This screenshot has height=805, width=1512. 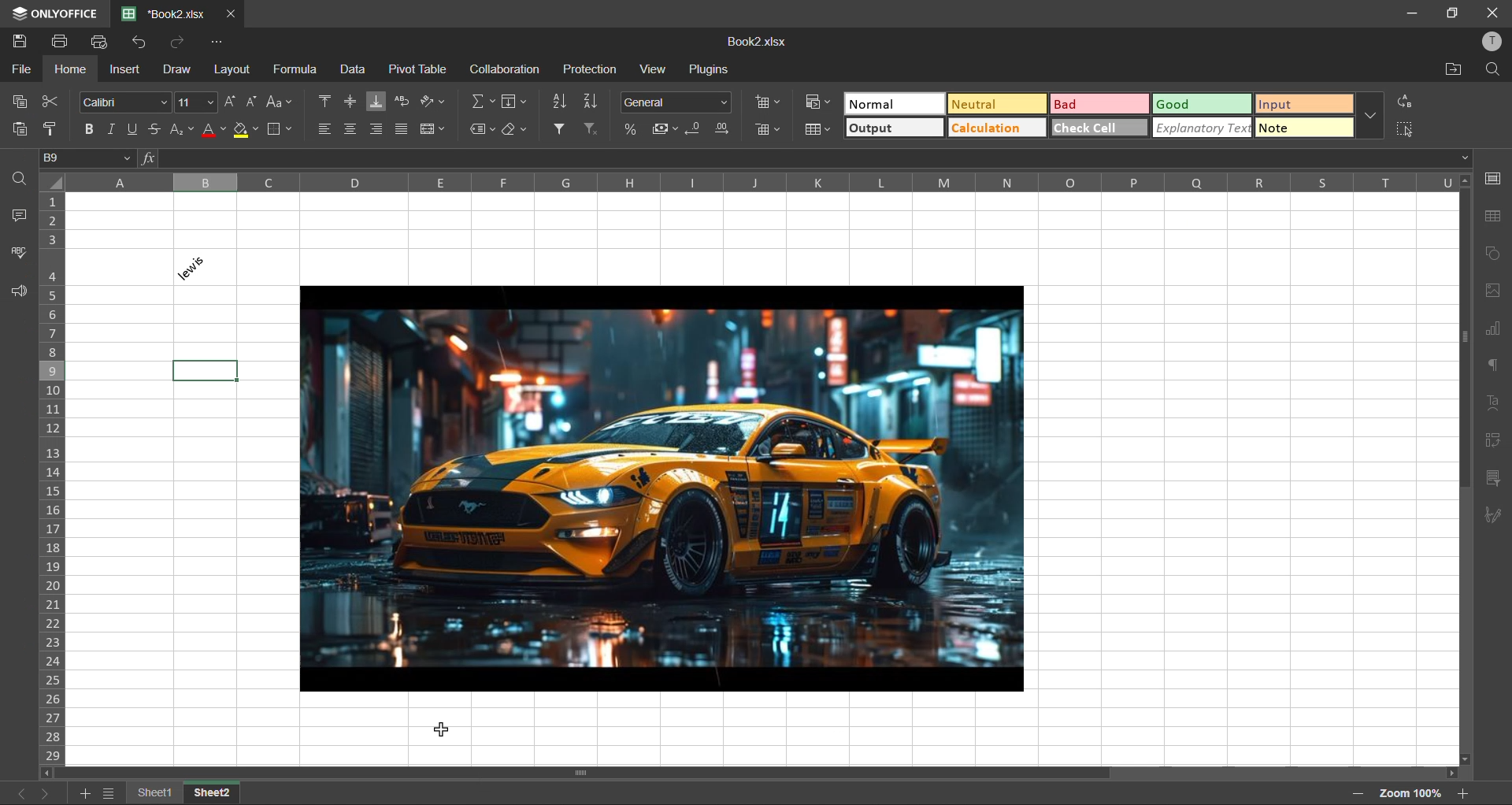 I want to click on spellcheck, so click(x=17, y=257).